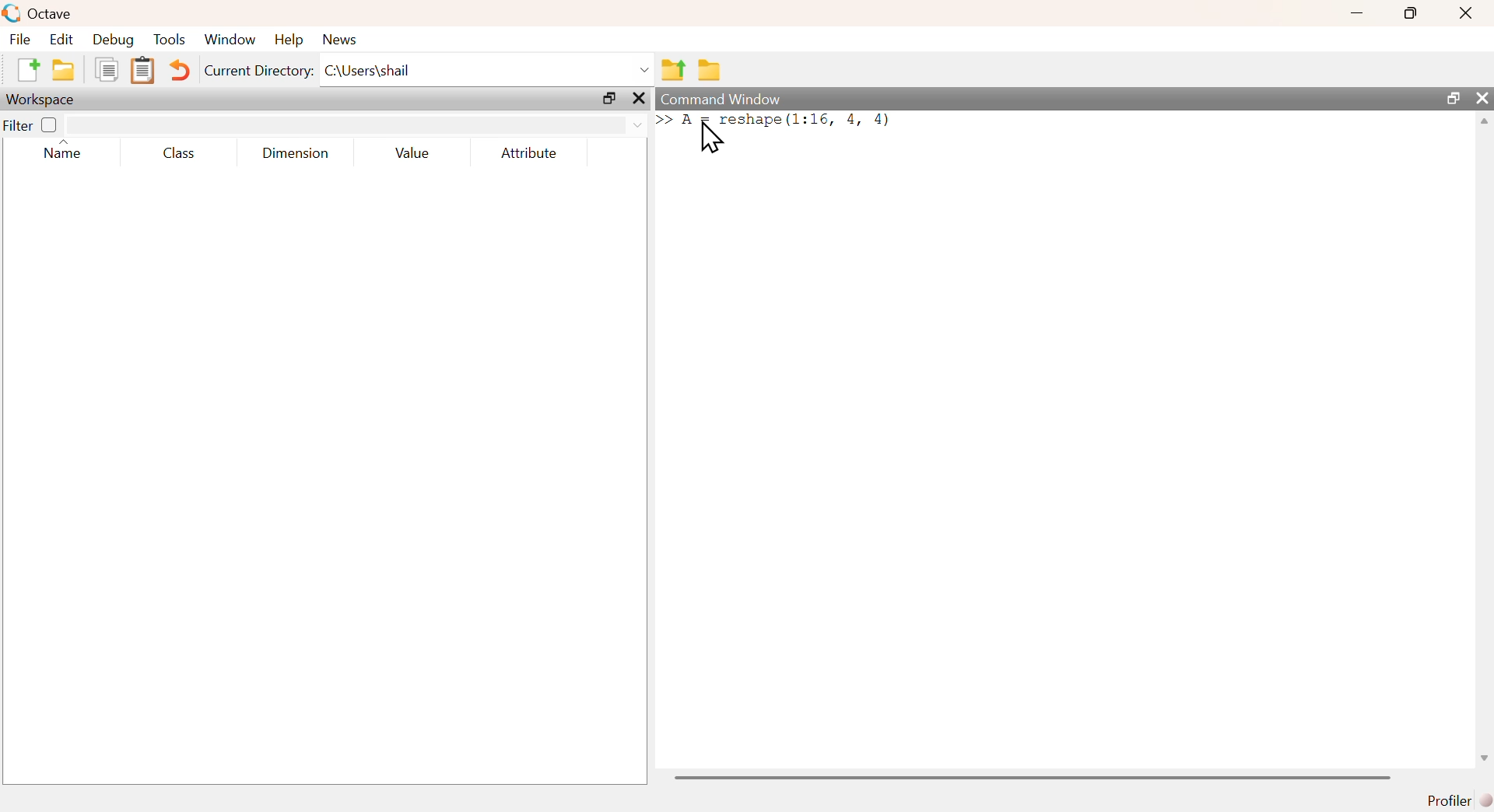 This screenshot has height=812, width=1494. What do you see at coordinates (822, 134) in the screenshot?
I see `commands` at bounding box center [822, 134].